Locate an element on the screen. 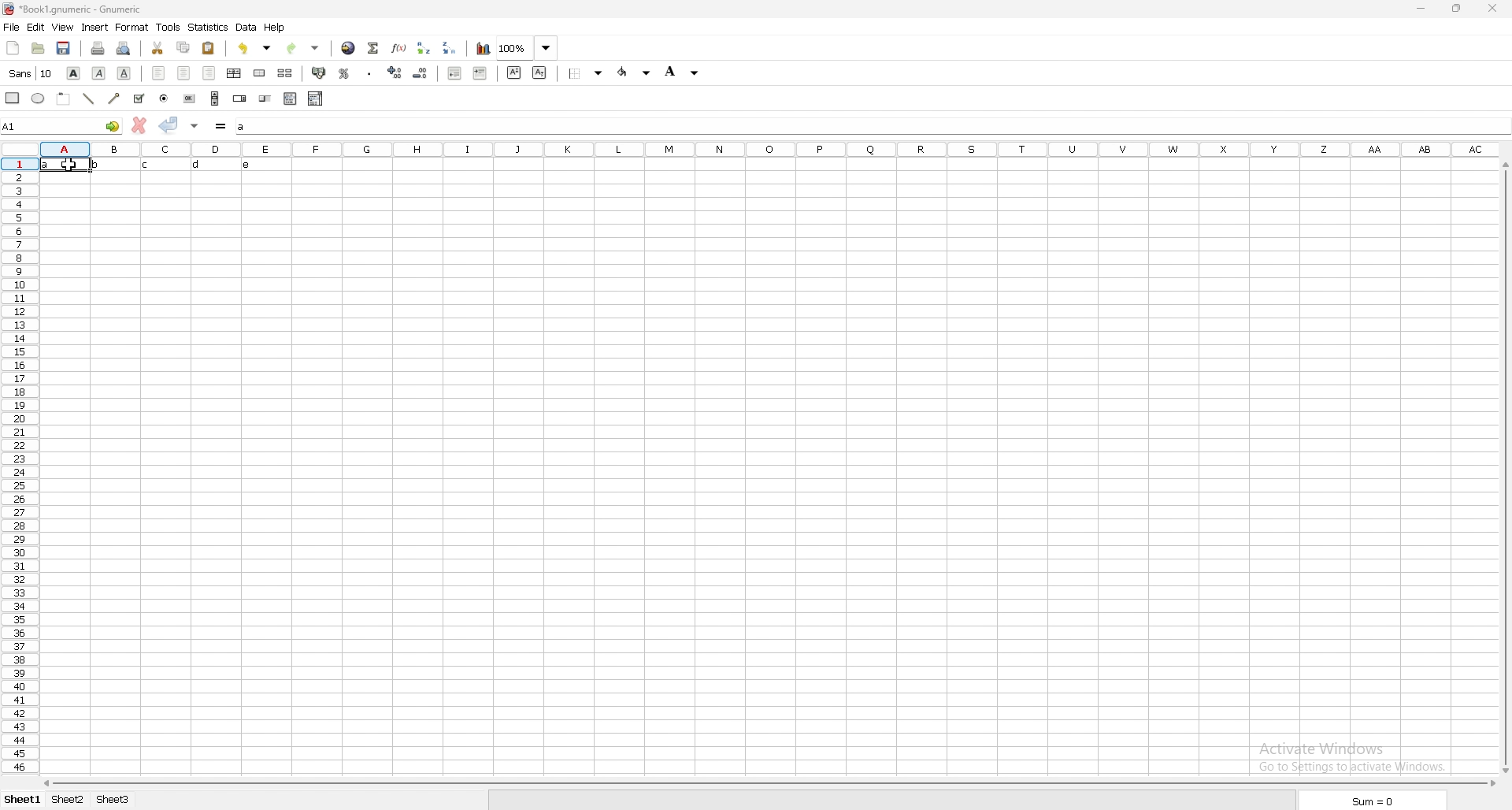 The image size is (1512, 810). sheet 3 is located at coordinates (113, 800).